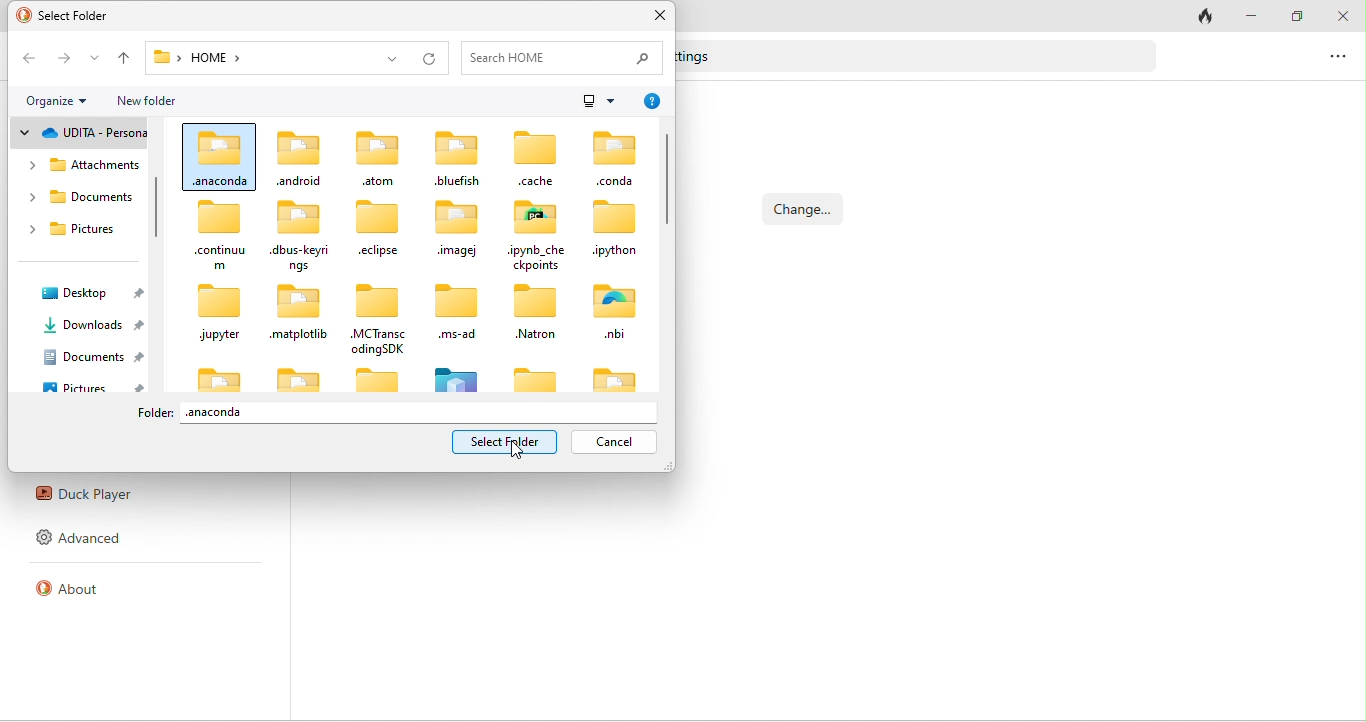  I want to click on documents, so click(94, 358).